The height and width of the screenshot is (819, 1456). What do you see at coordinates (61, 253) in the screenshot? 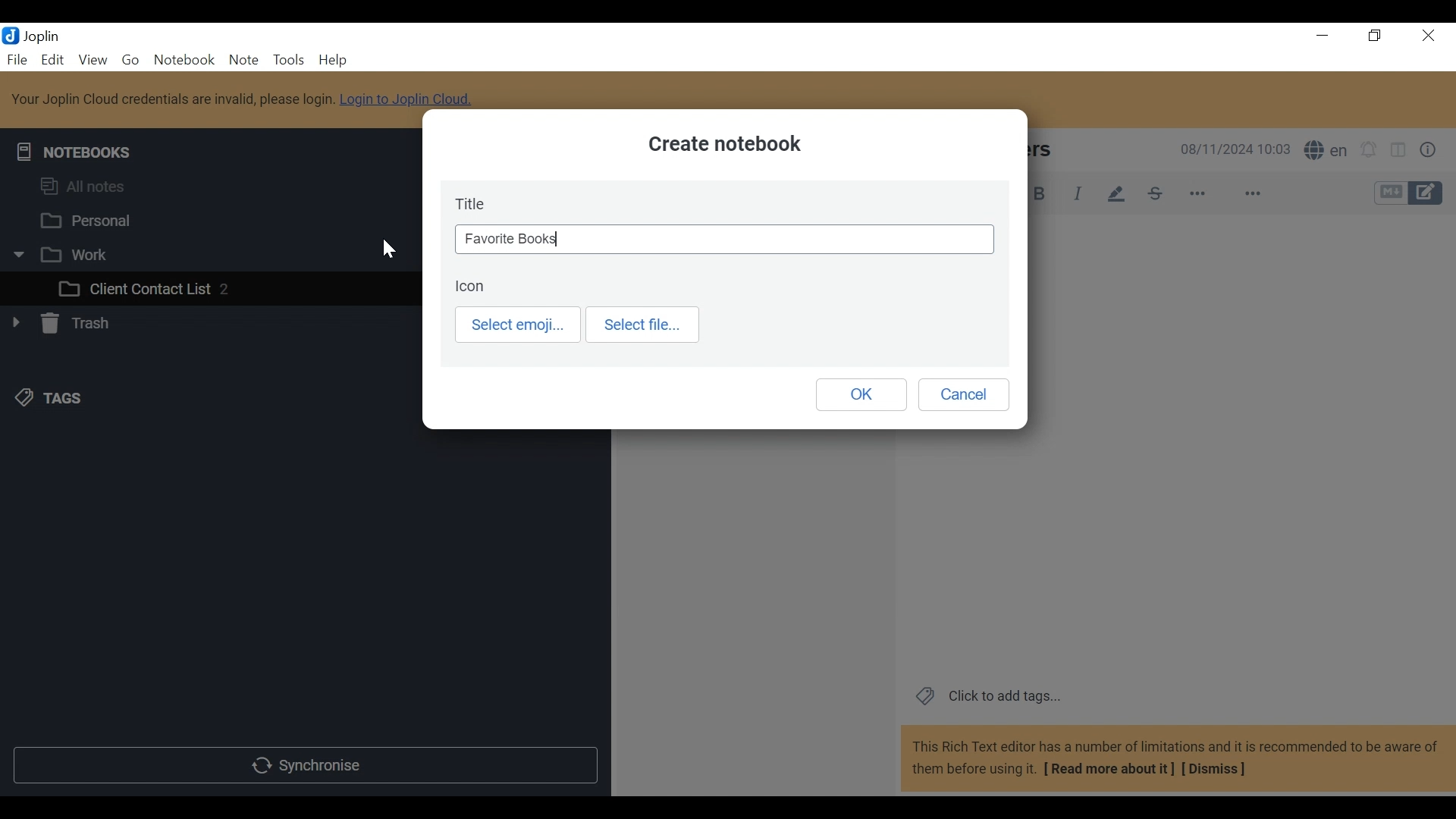
I see ` Work` at bounding box center [61, 253].